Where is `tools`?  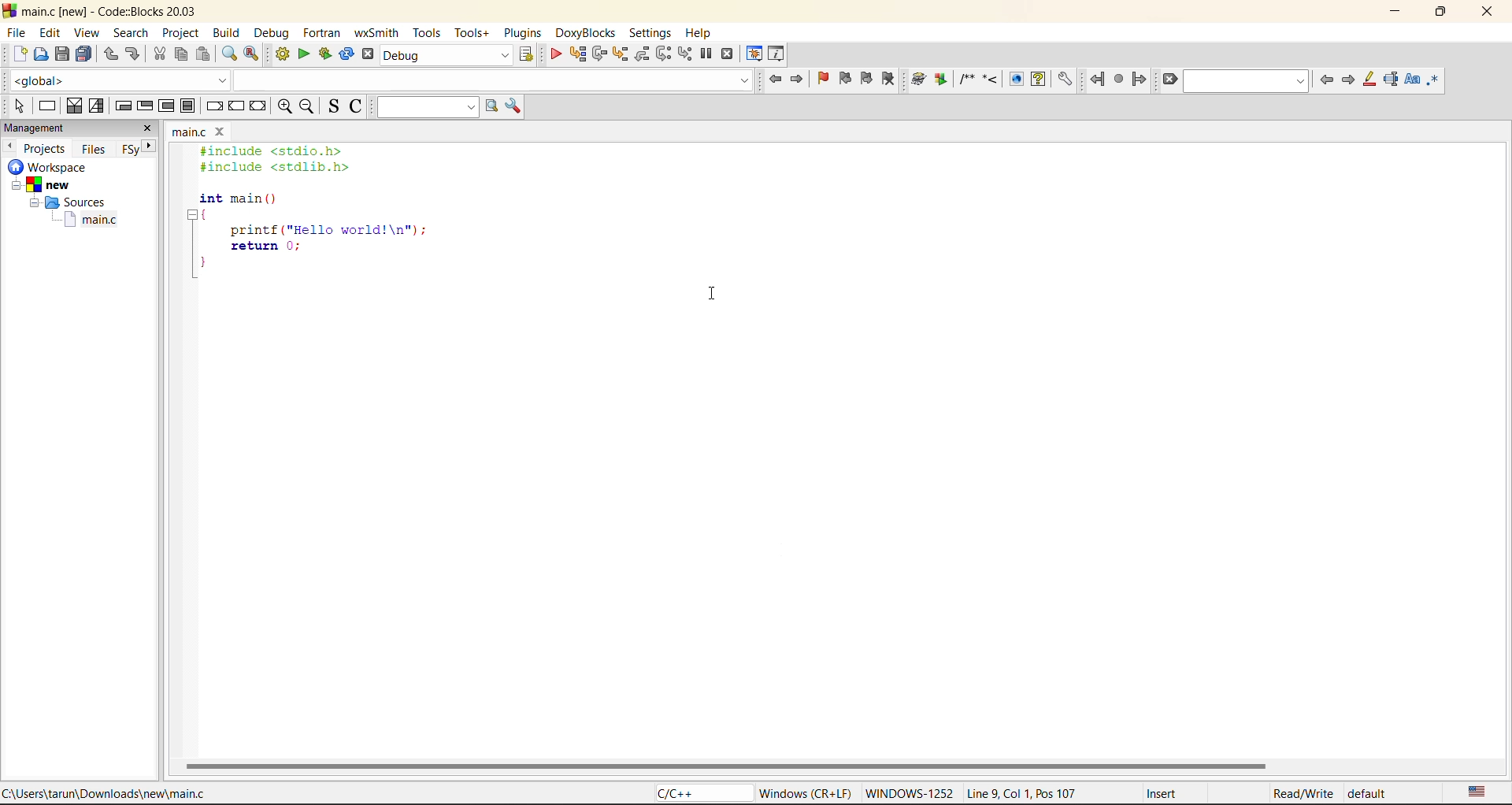 tools is located at coordinates (426, 34).